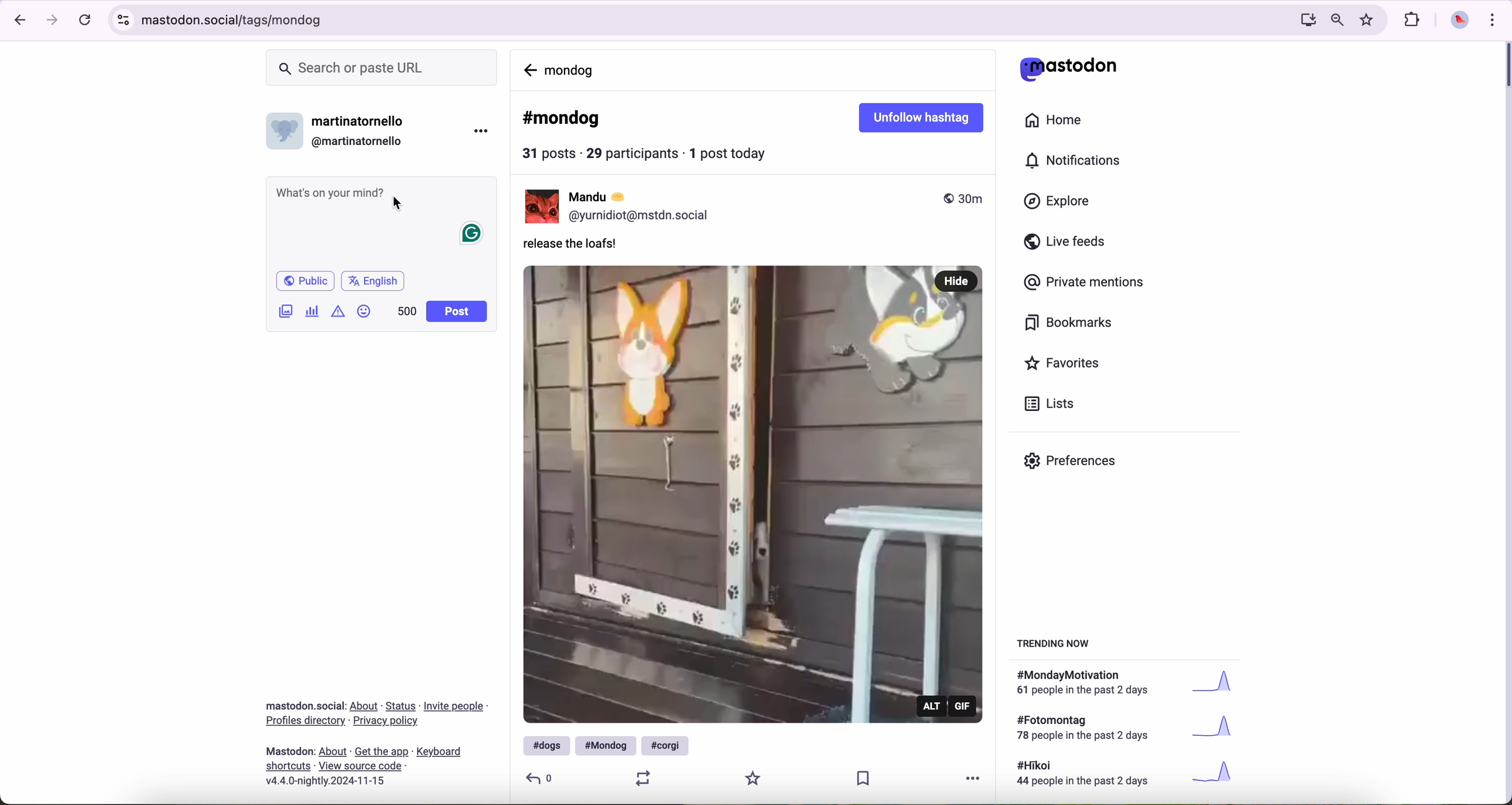 Image resolution: width=1512 pixels, height=805 pixels. Describe the element at coordinates (364, 312) in the screenshot. I see `emoji` at that location.